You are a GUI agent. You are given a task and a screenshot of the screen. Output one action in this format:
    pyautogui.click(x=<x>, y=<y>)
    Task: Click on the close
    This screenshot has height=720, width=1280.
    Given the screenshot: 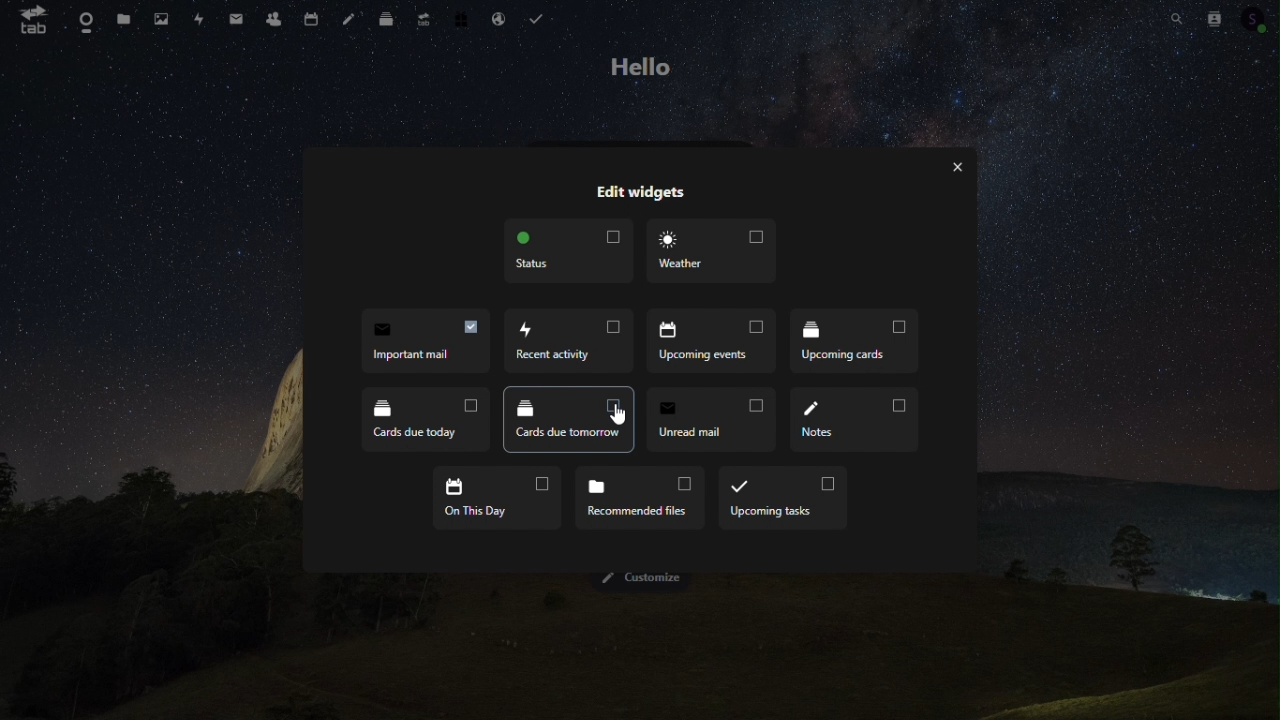 What is the action you would take?
    pyautogui.click(x=961, y=168)
    